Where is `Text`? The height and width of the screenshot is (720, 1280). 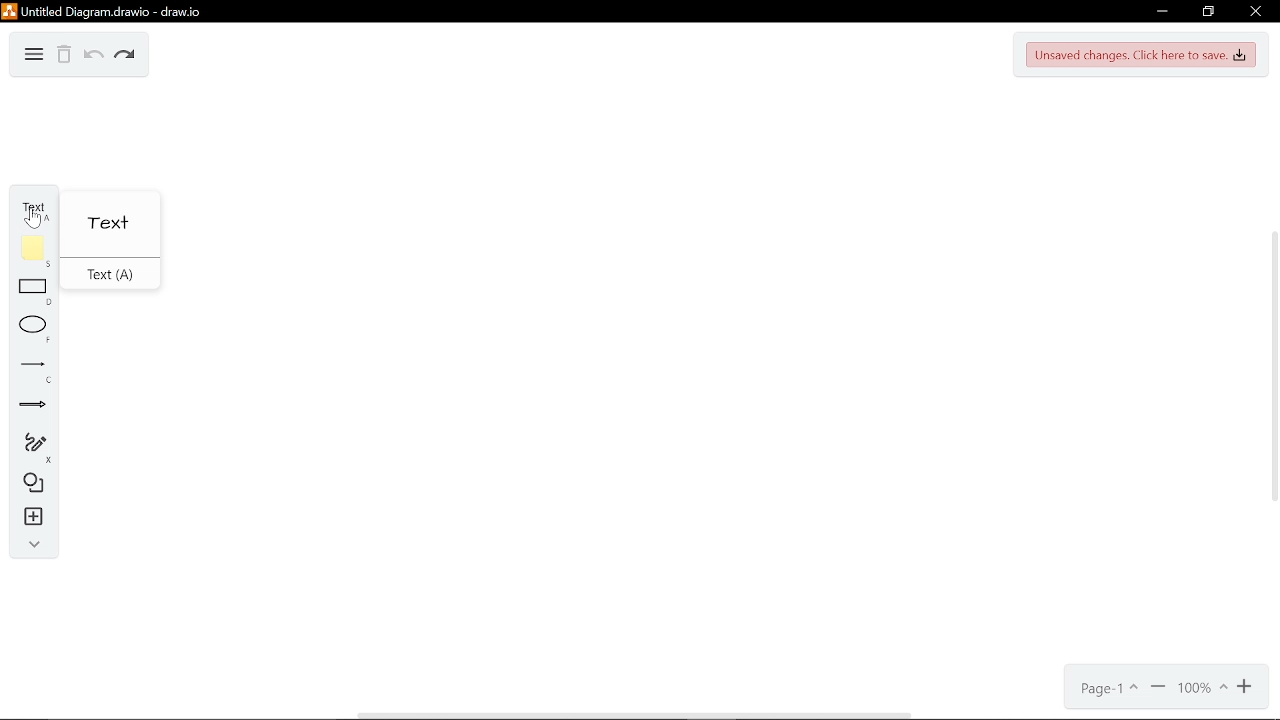 Text is located at coordinates (110, 226).